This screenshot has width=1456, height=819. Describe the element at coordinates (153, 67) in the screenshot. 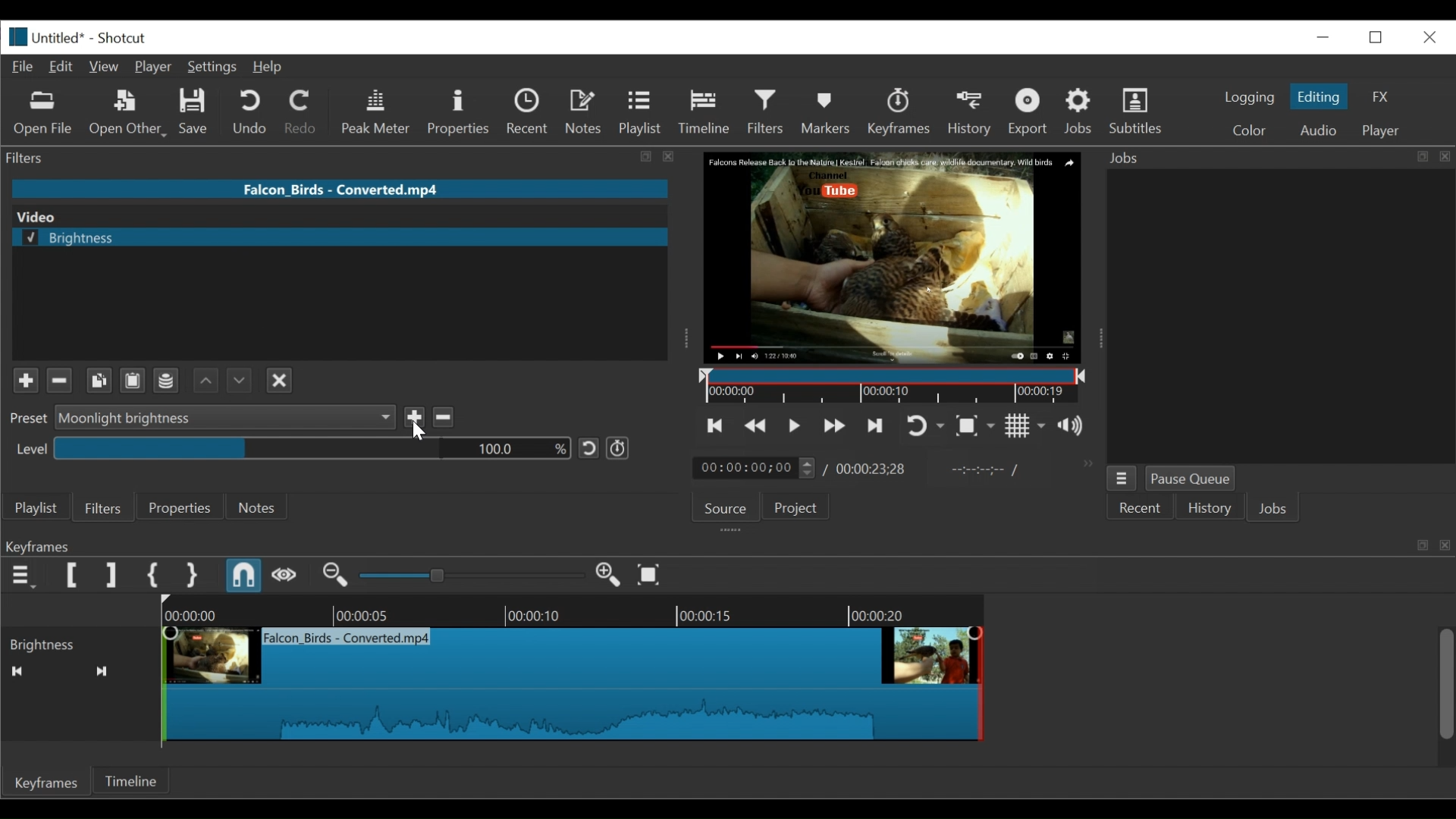

I see `Player` at that location.